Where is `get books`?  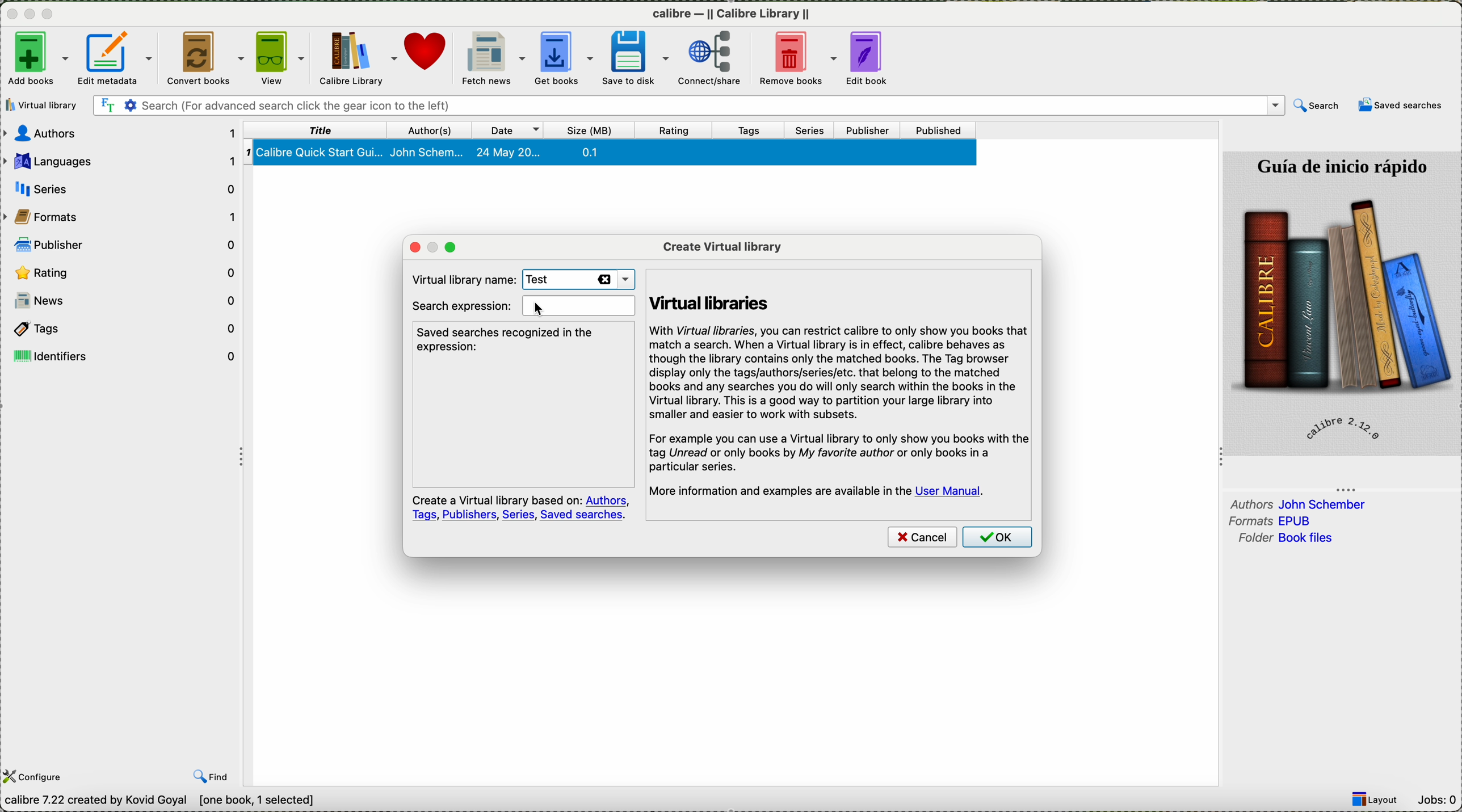 get books is located at coordinates (565, 60).